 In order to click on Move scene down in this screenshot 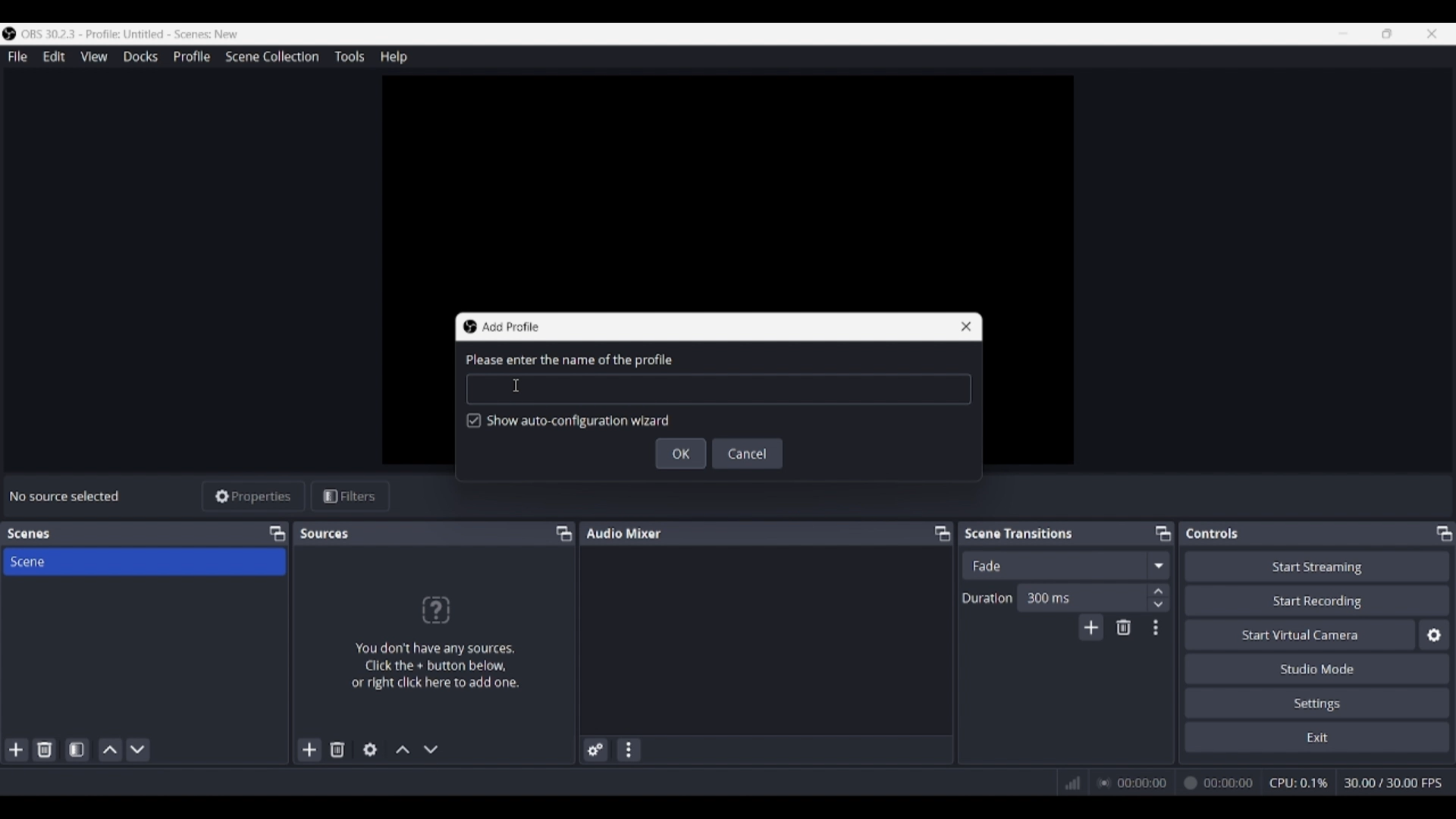, I will do `click(137, 750)`.